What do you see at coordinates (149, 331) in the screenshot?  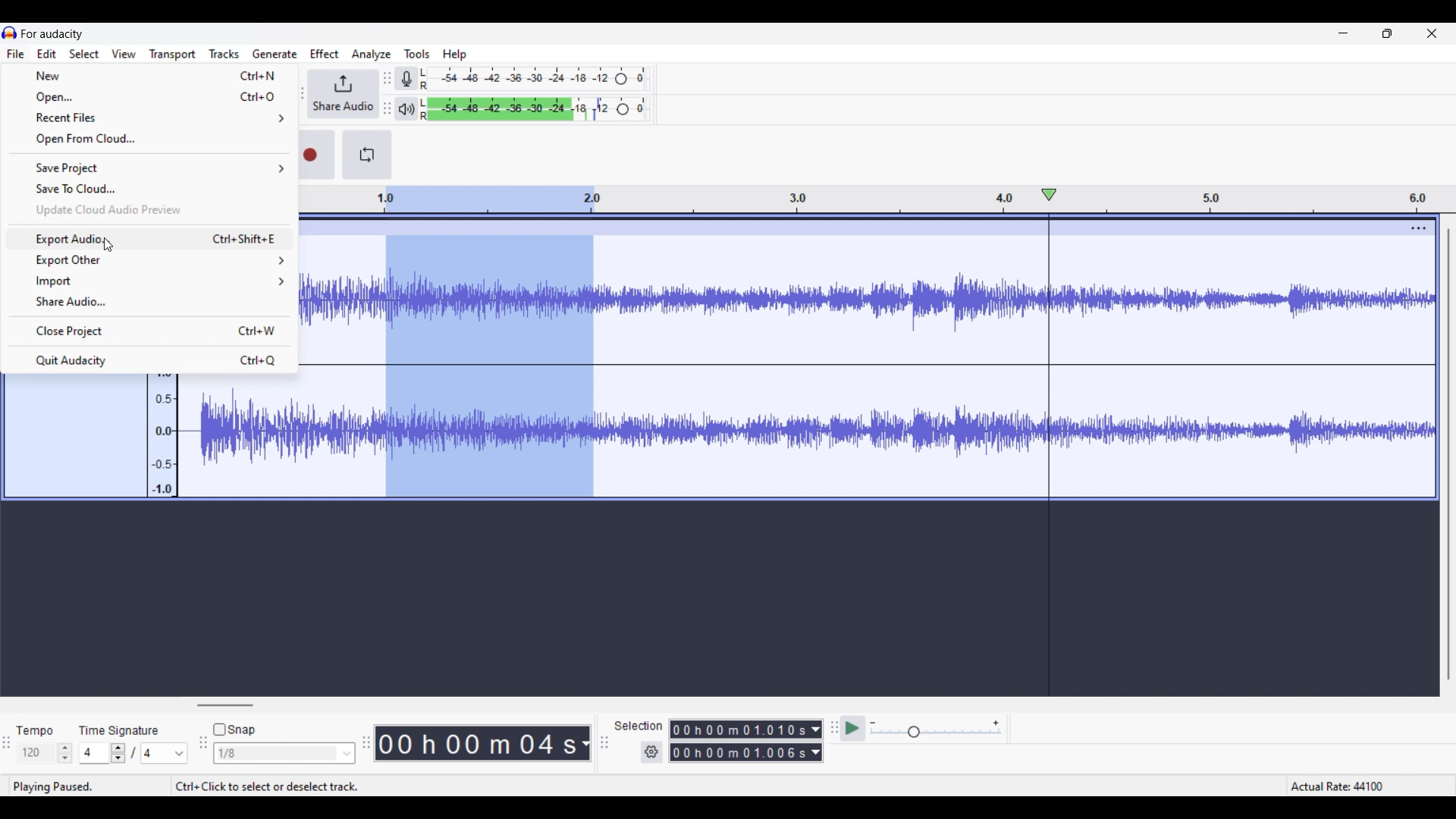 I see `Close project` at bounding box center [149, 331].